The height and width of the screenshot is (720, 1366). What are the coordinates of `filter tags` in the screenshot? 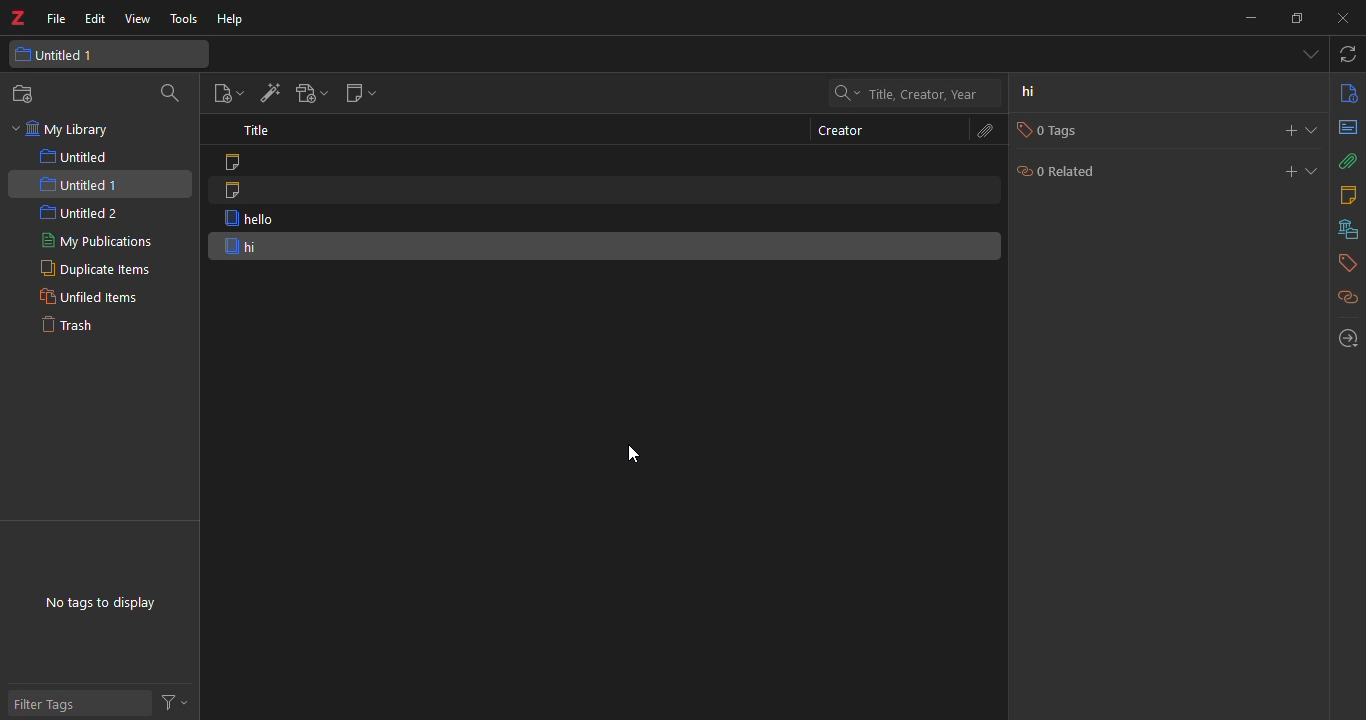 It's located at (52, 706).